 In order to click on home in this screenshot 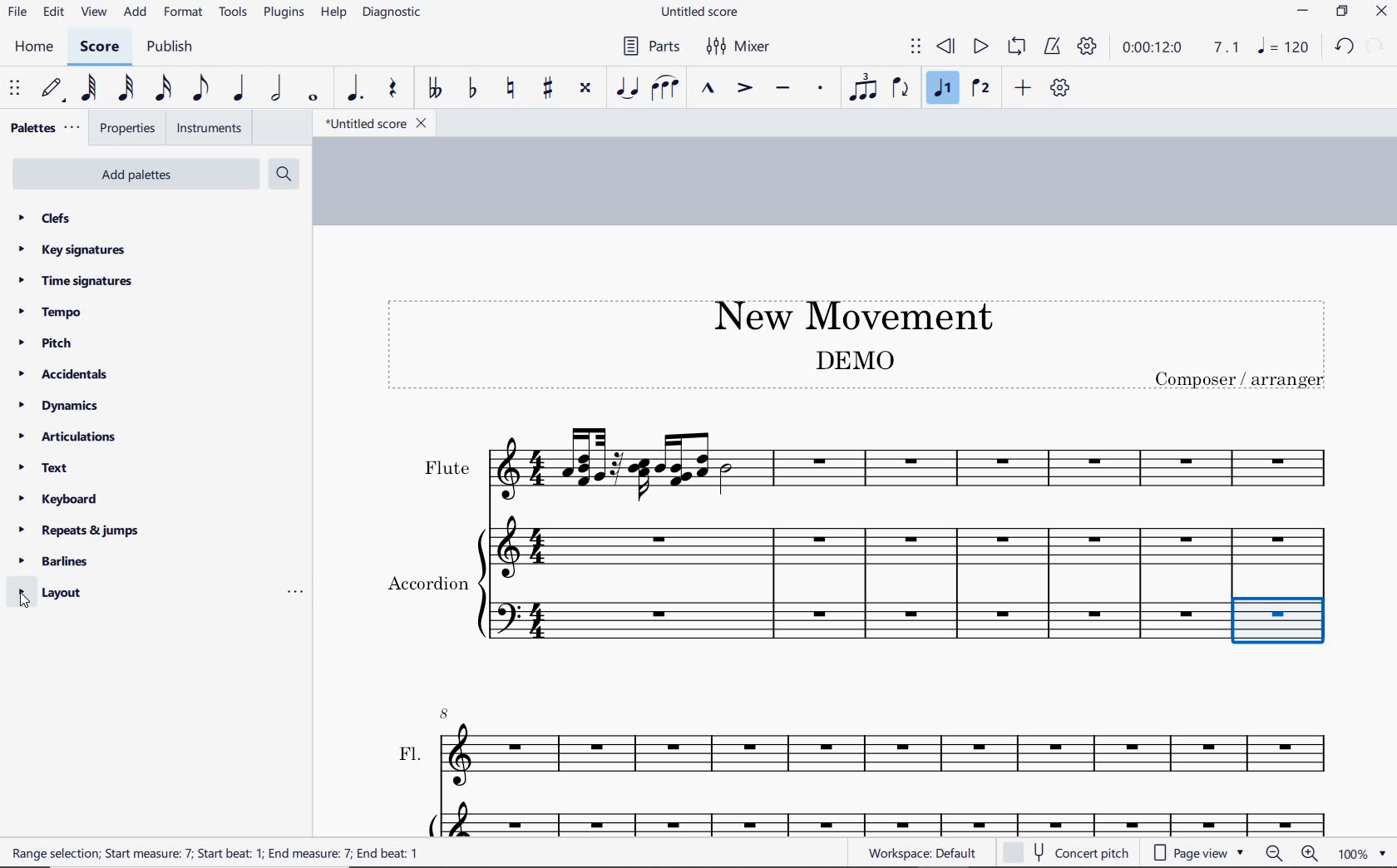, I will do `click(33, 47)`.